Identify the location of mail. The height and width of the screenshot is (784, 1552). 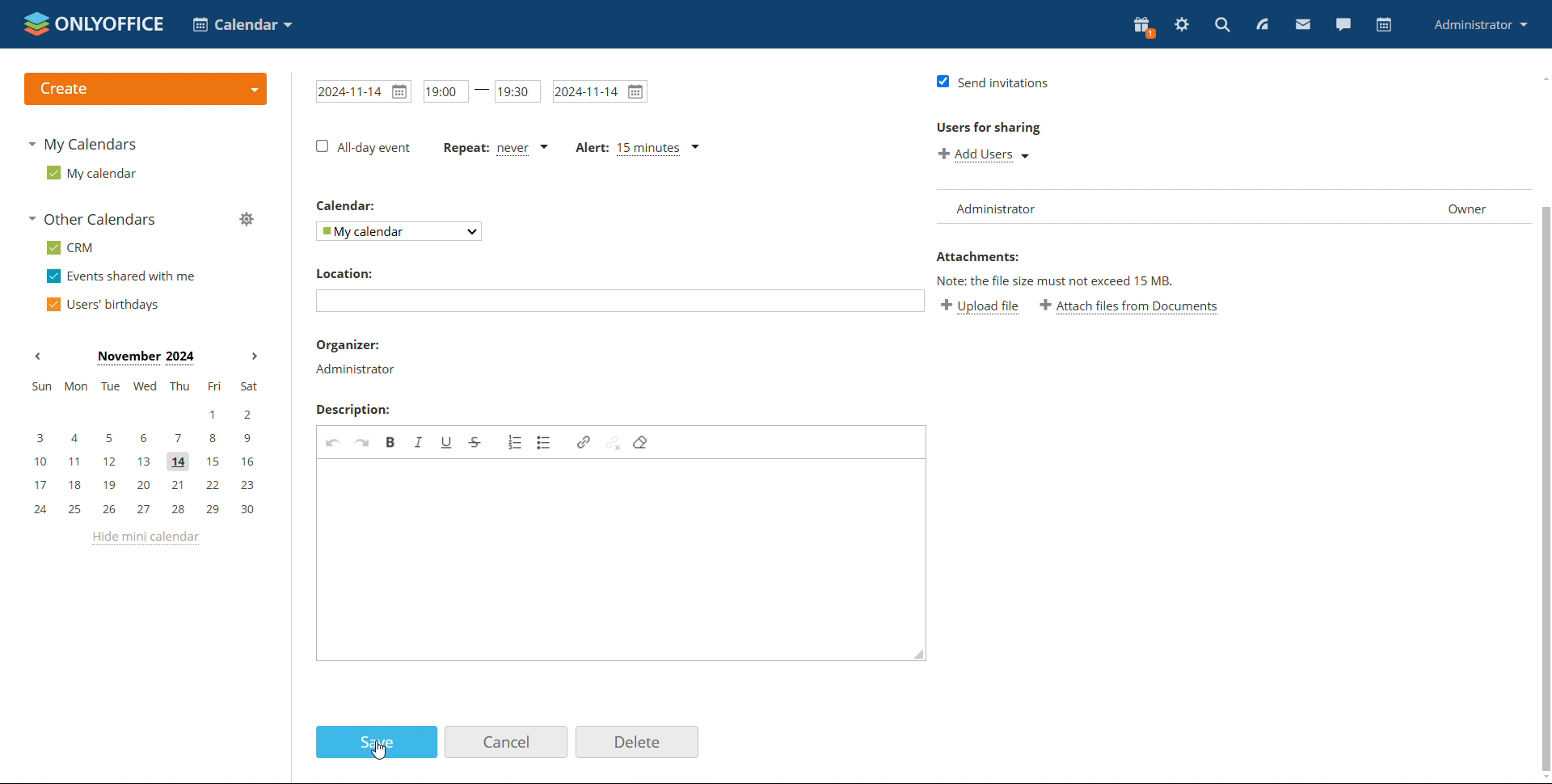
(1303, 25).